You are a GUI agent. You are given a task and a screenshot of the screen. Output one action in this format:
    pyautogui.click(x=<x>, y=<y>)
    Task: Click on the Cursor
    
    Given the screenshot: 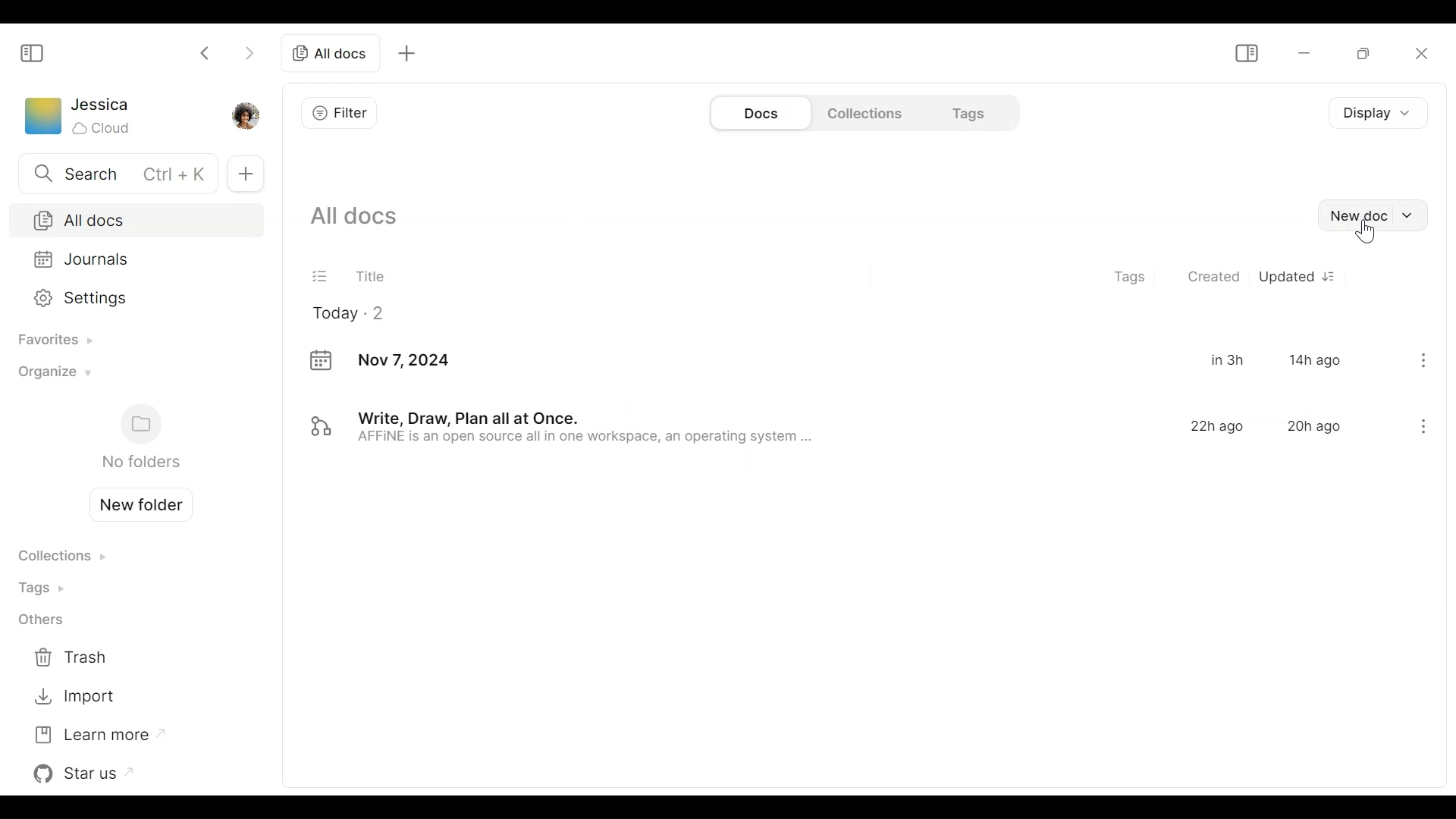 What is the action you would take?
    pyautogui.click(x=1371, y=232)
    